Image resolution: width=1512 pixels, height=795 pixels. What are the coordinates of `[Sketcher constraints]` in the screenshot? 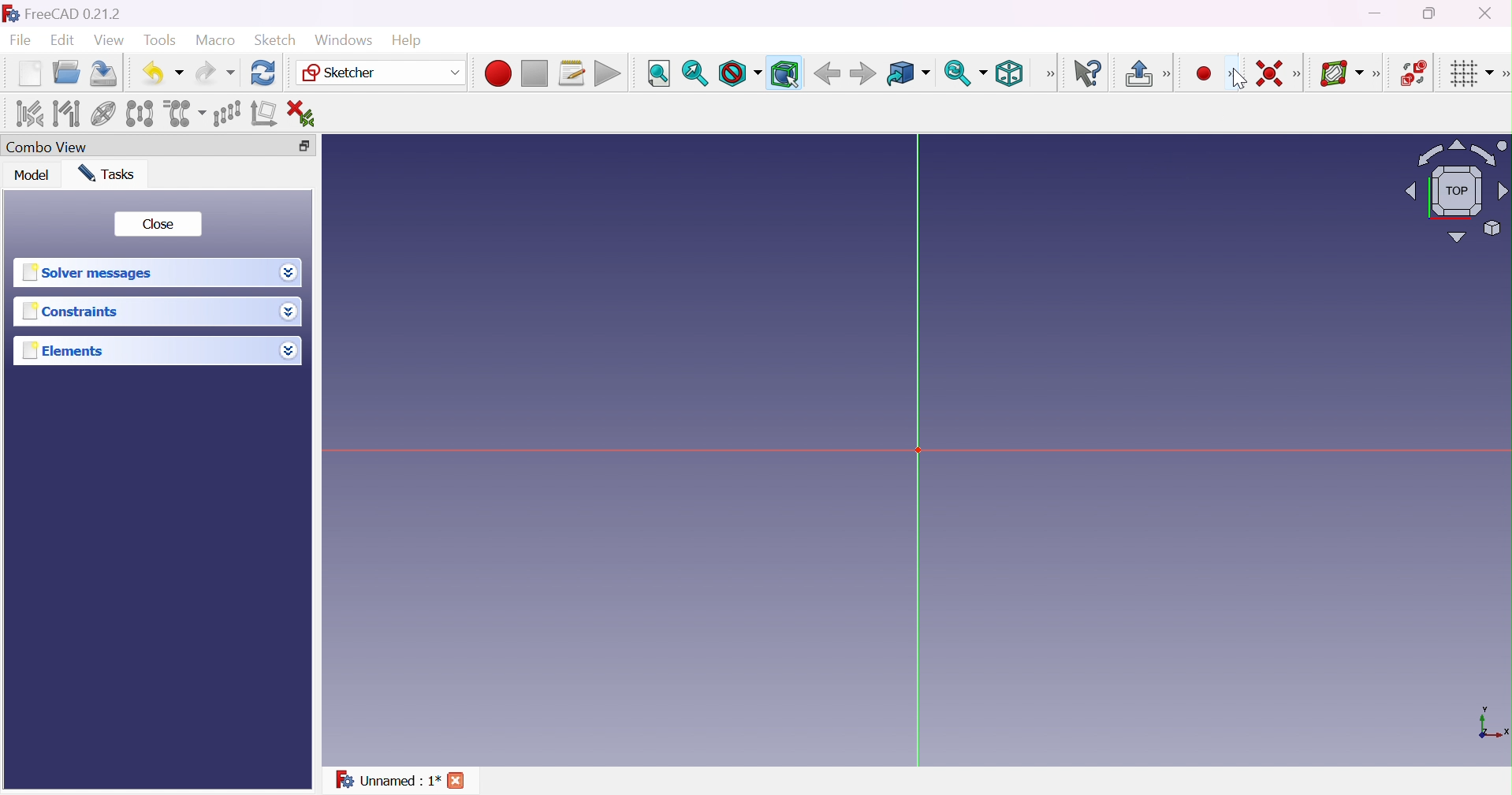 It's located at (1300, 74).